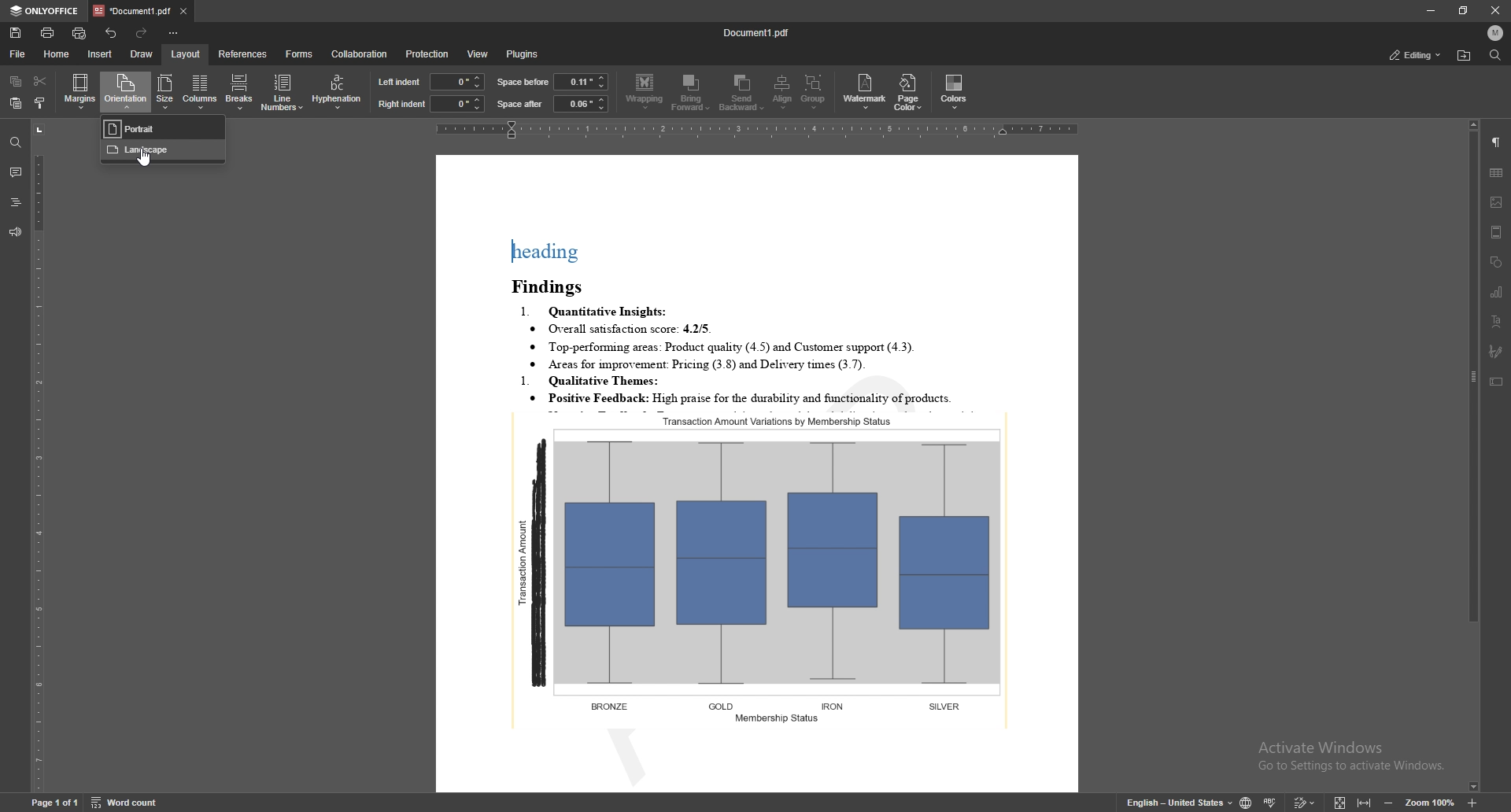  I want to click on undo, so click(113, 33).